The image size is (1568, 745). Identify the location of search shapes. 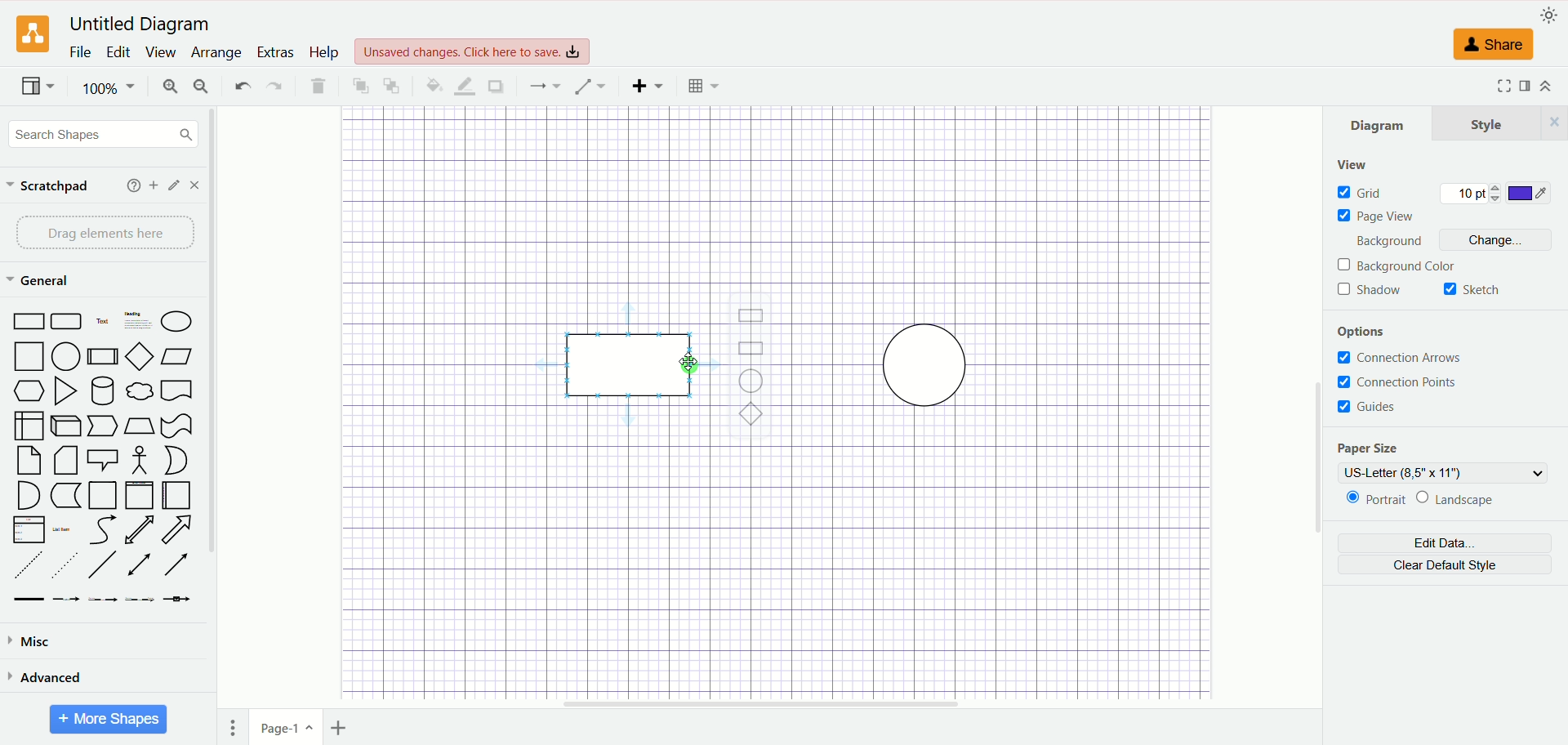
(100, 134).